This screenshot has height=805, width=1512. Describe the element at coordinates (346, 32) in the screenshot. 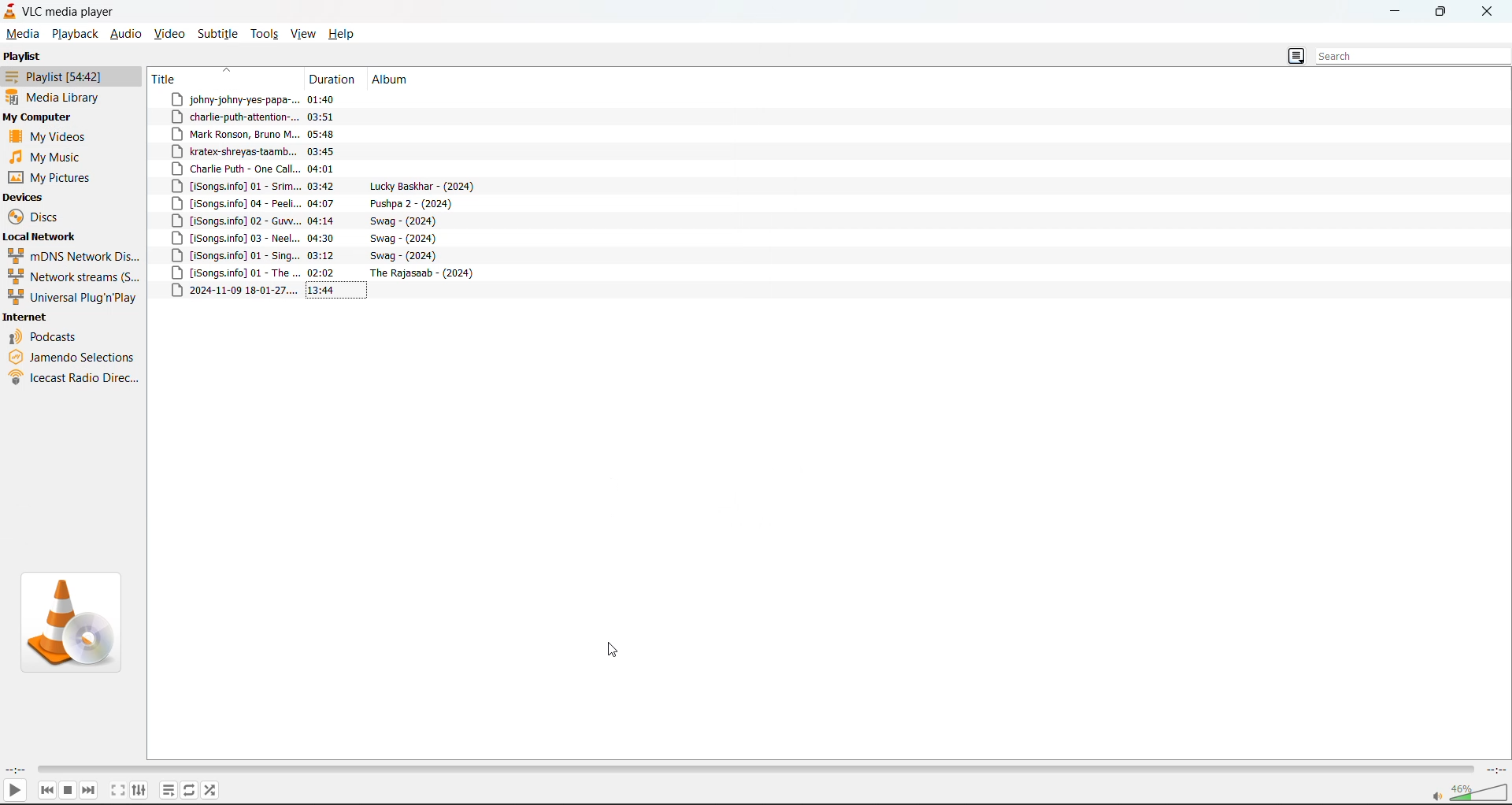

I see `help` at that location.